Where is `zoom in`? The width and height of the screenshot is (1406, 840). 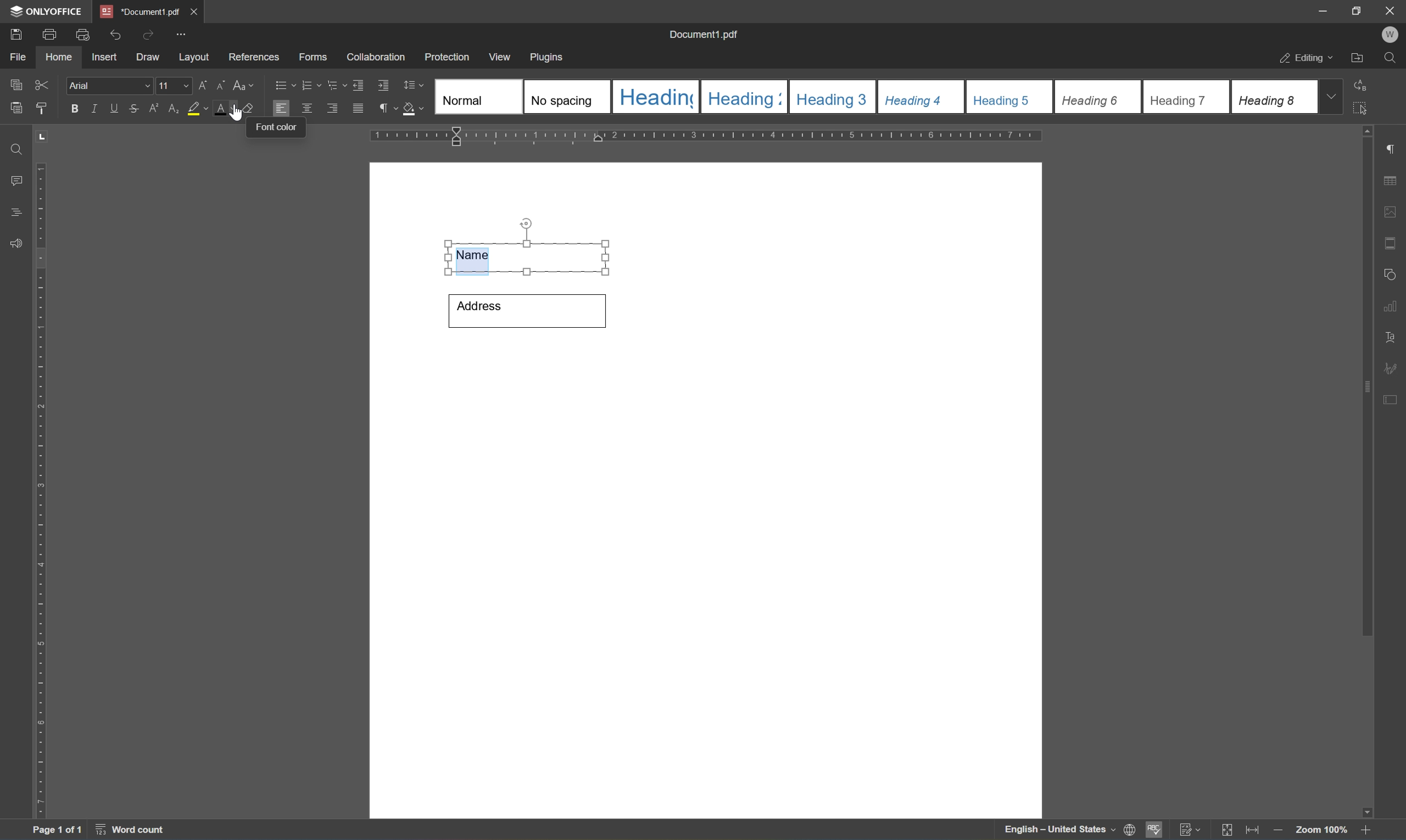 zoom in is located at coordinates (1276, 830).